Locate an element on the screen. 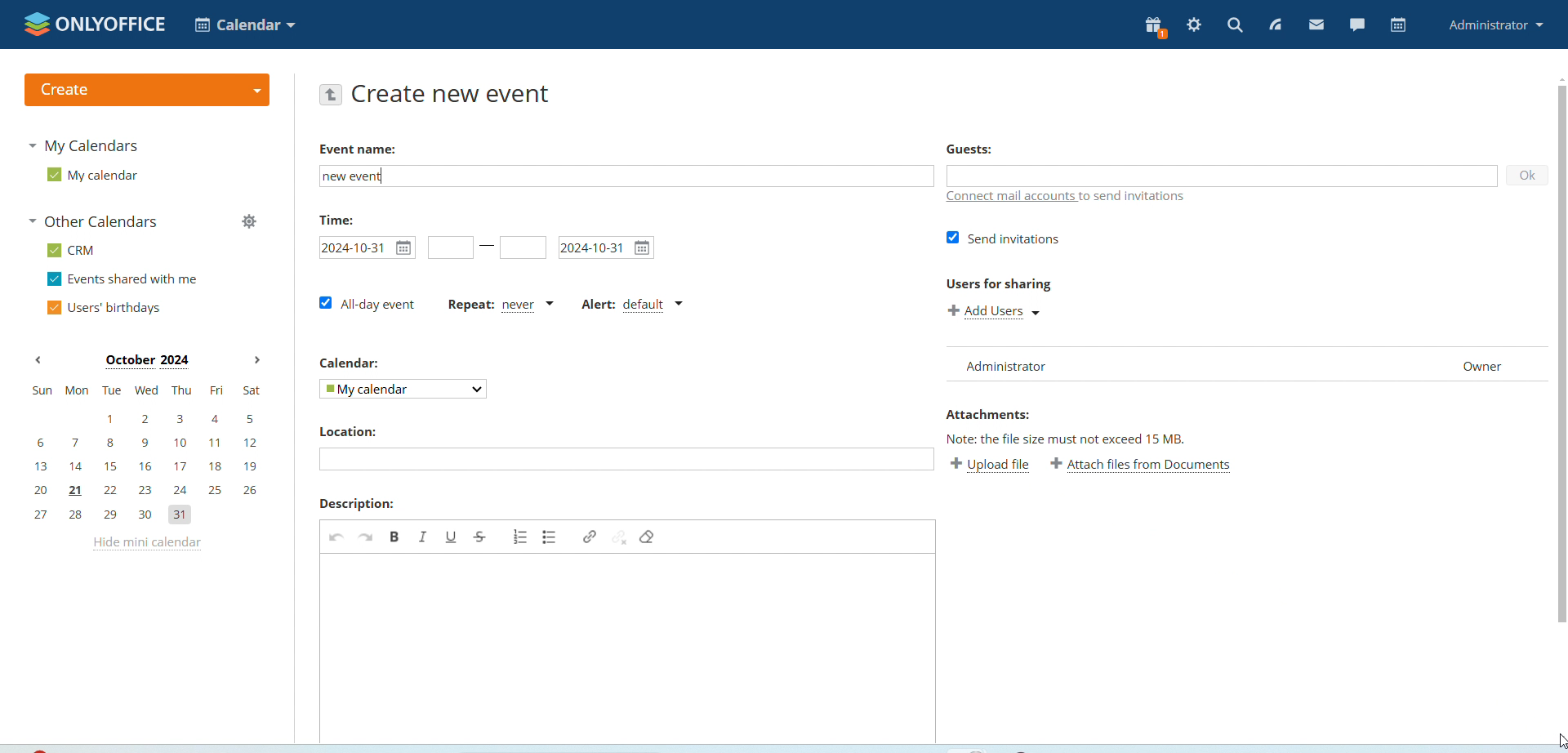 The image size is (1568, 753). connect mail accounts to send invitations is located at coordinates (1070, 198).